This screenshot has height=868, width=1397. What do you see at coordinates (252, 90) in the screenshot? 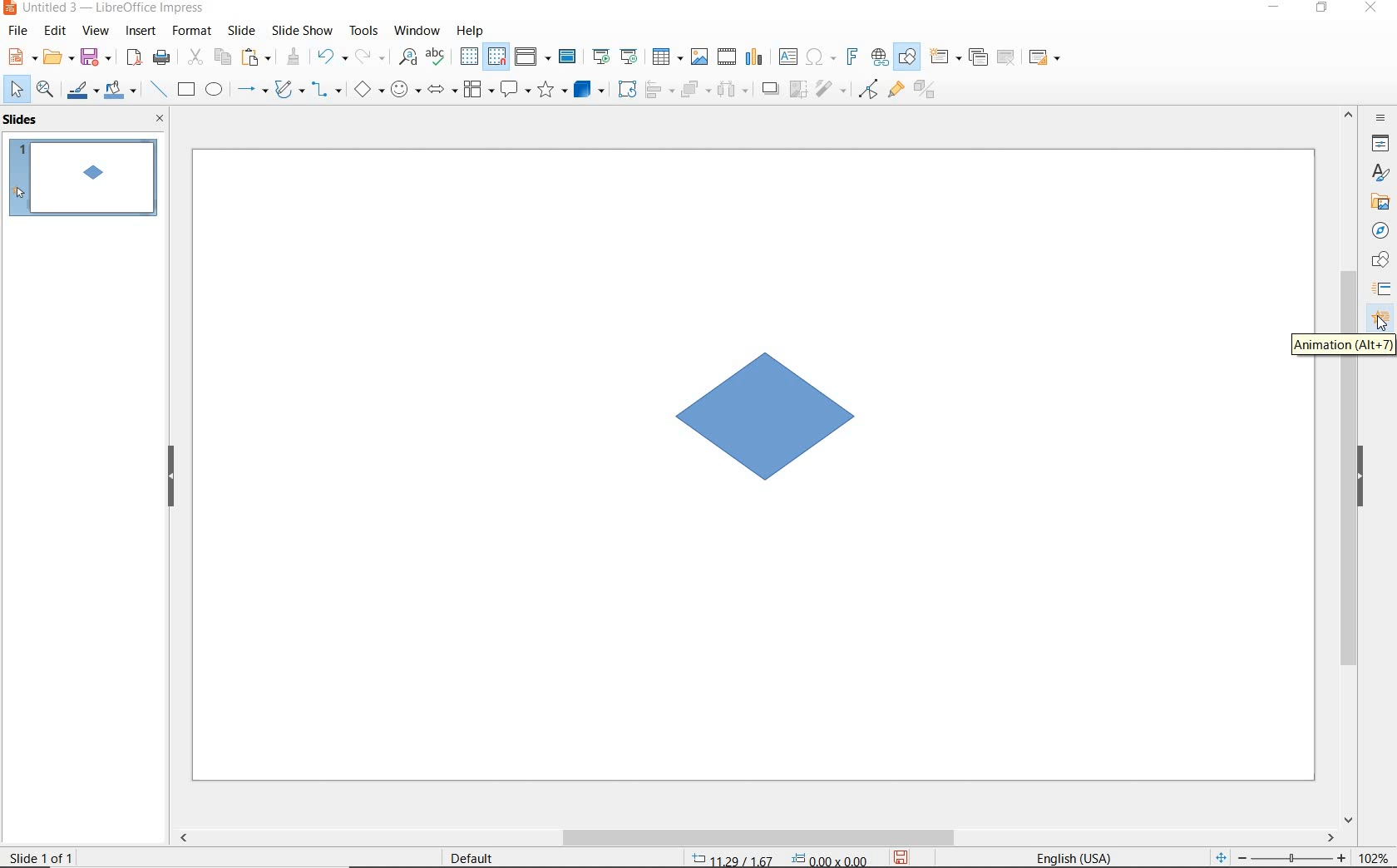
I see `lines and arrows` at bounding box center [252, 90].